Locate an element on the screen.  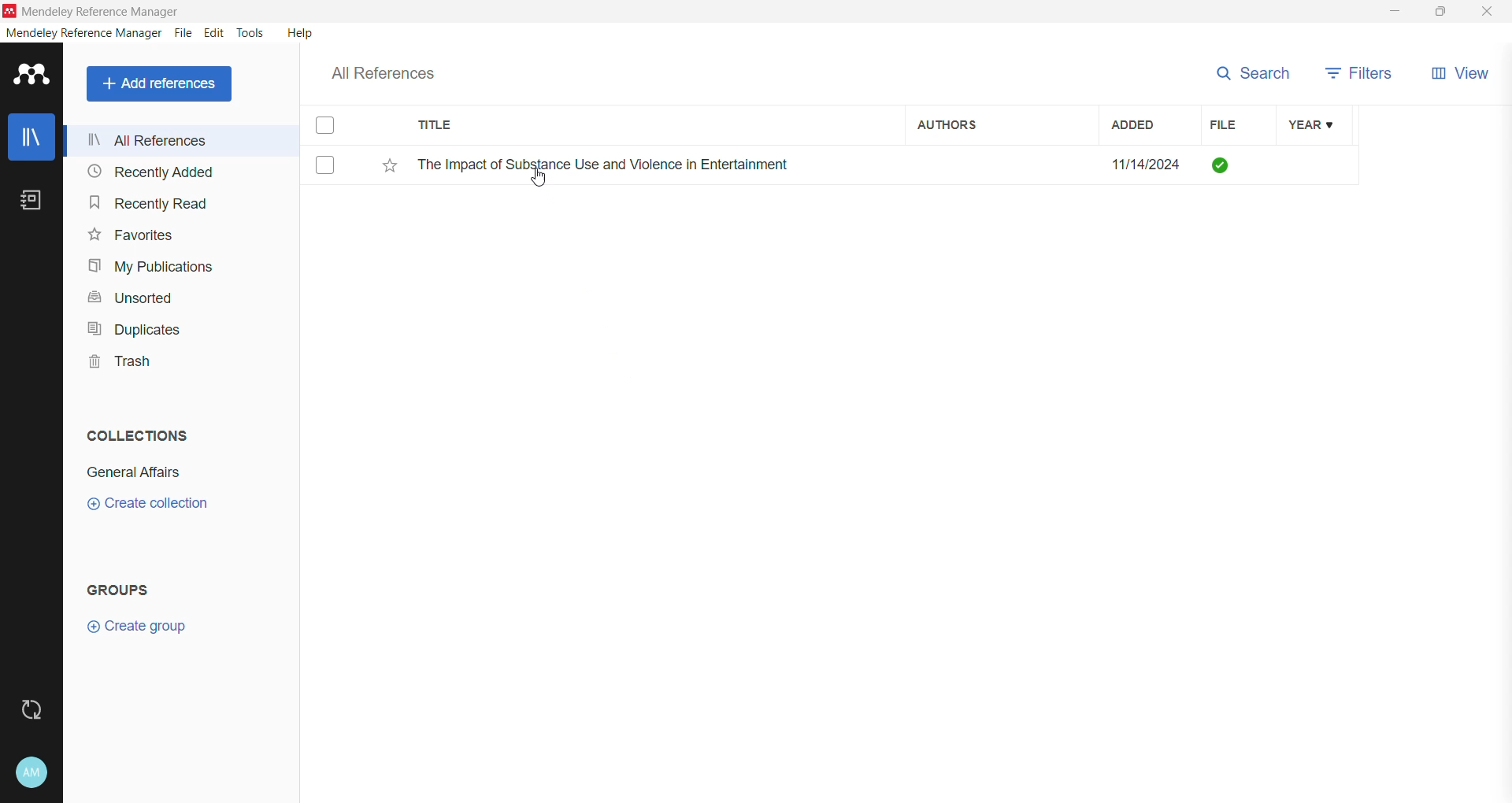
Authors is located at coordinates (1001, 124).